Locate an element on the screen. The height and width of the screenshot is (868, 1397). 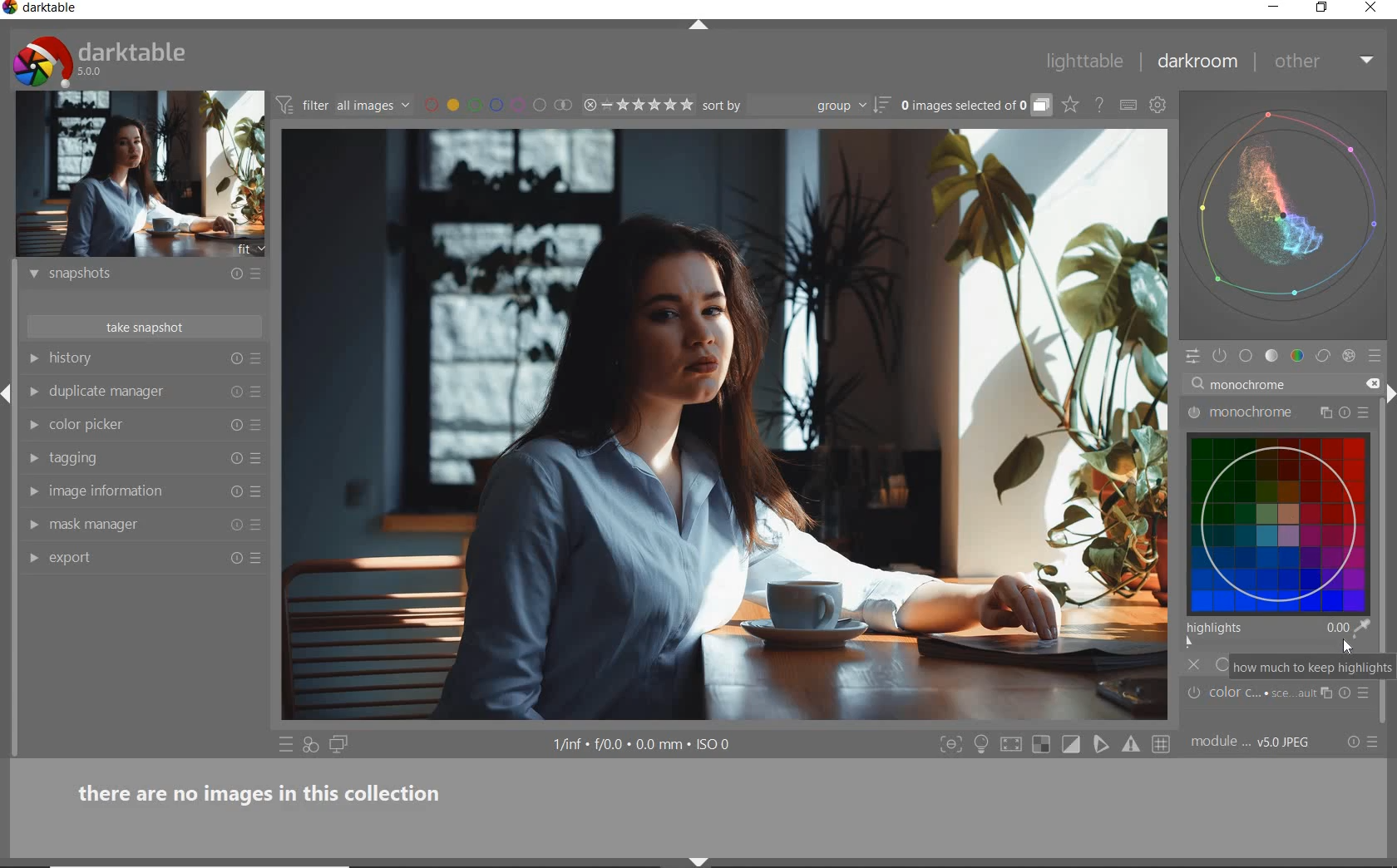
duplicate manager is located at coordinates (133, 392).